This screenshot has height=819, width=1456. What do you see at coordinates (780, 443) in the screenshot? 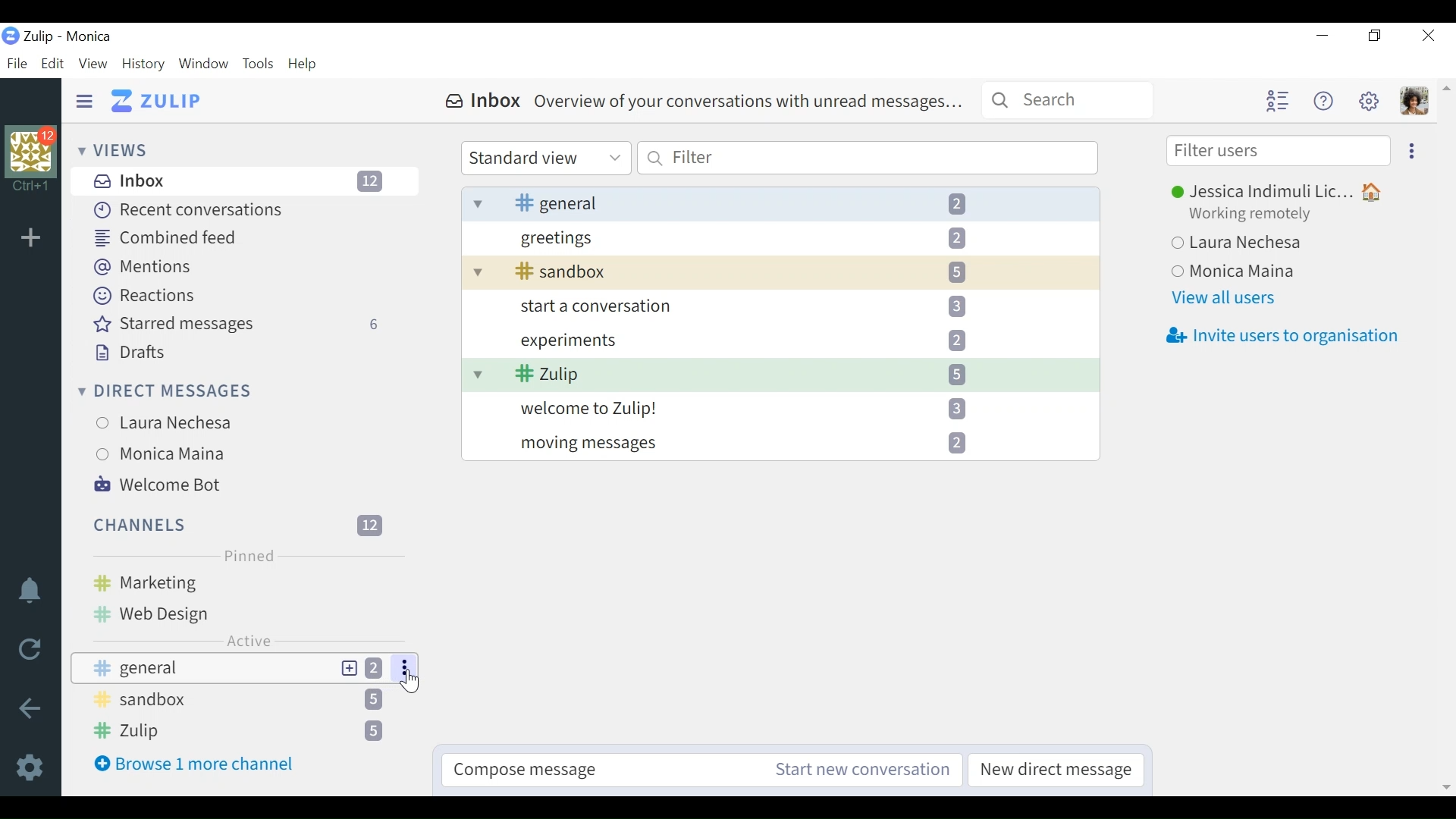
I see `Moving messages 2` at bounding box center [780, 443].